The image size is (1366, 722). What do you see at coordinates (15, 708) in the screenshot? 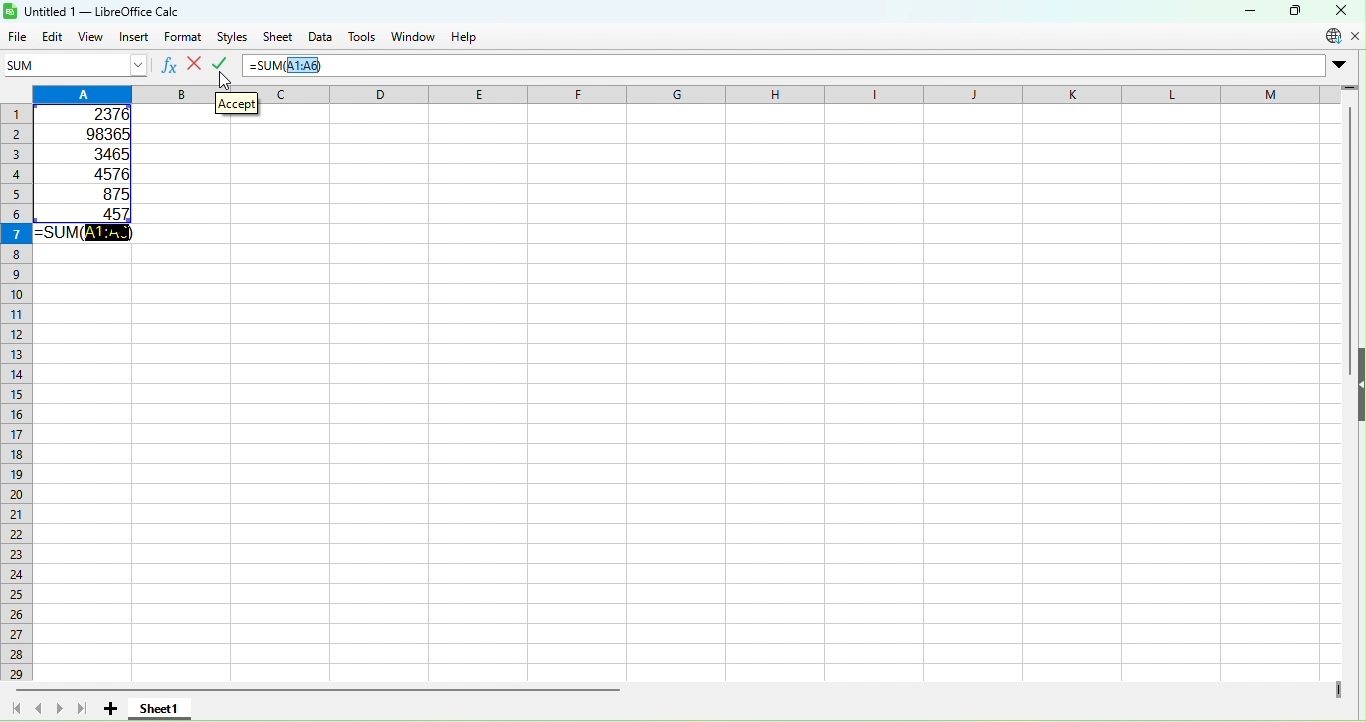
I see `Scroll to first sheet` at bounding box center [15, 708].